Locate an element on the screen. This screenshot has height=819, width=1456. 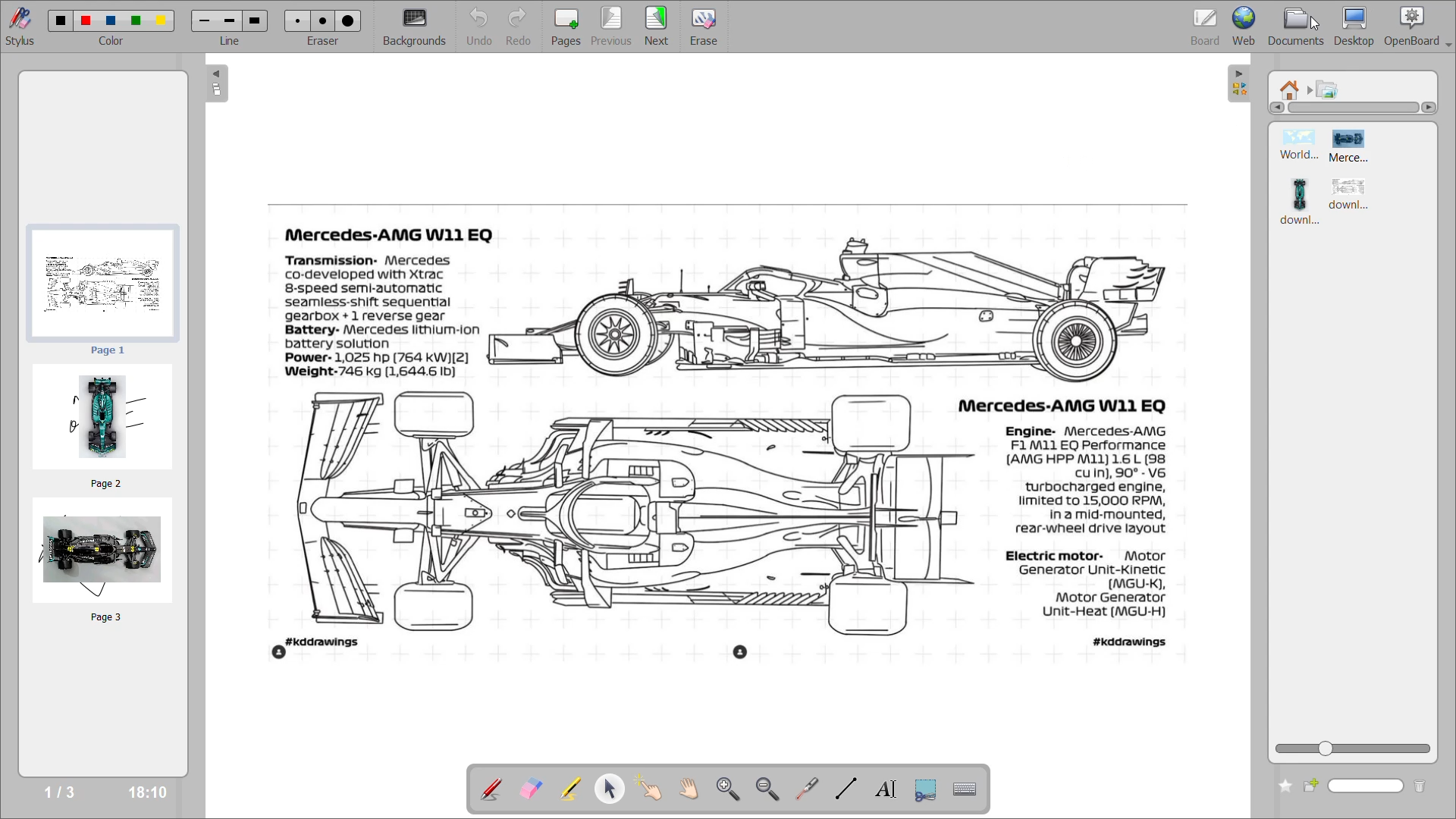
color 5 is located at coordinates (159, 20).